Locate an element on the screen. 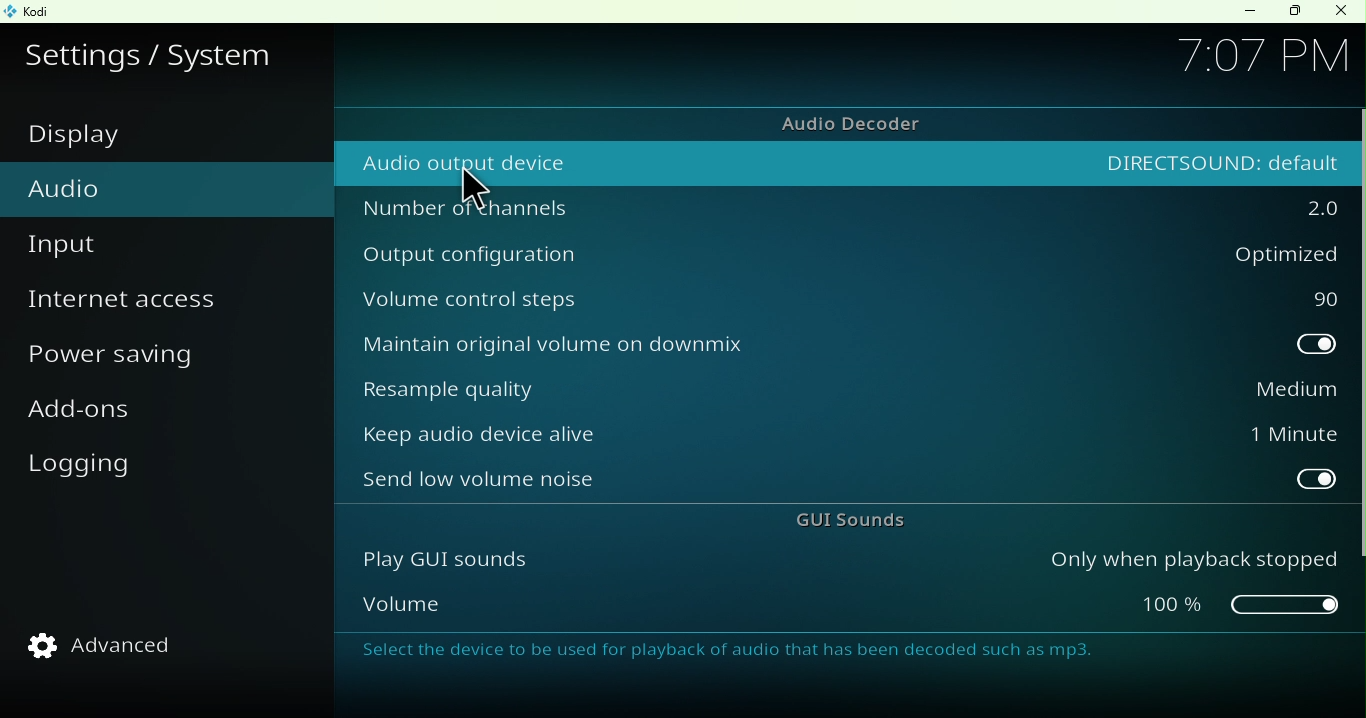 The height and width of the screenshot is (718, 1366). Logging is located at coordinates (84, 474).